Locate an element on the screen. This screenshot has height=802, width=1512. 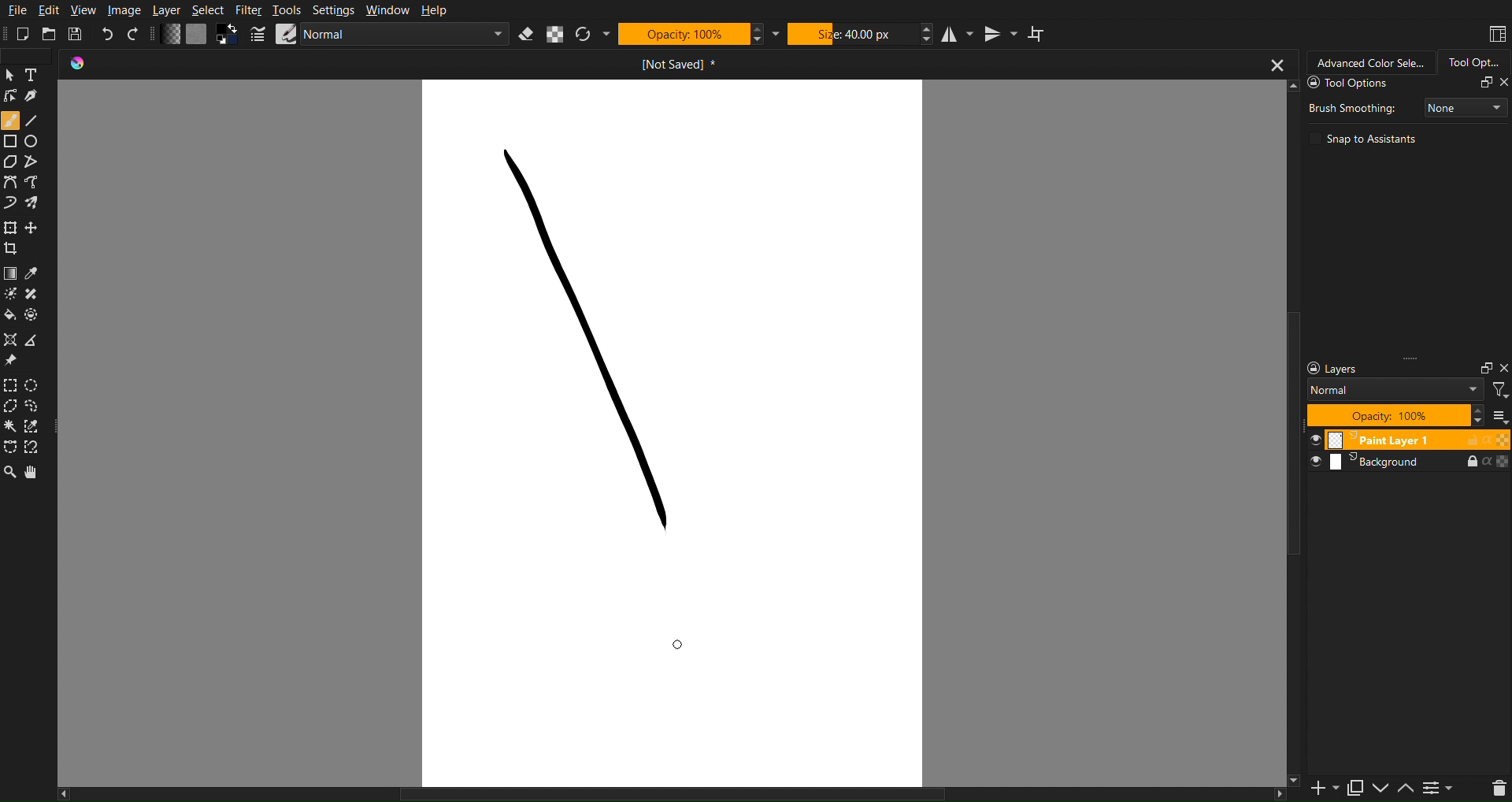
Close is located at coordinates (1503, 83).